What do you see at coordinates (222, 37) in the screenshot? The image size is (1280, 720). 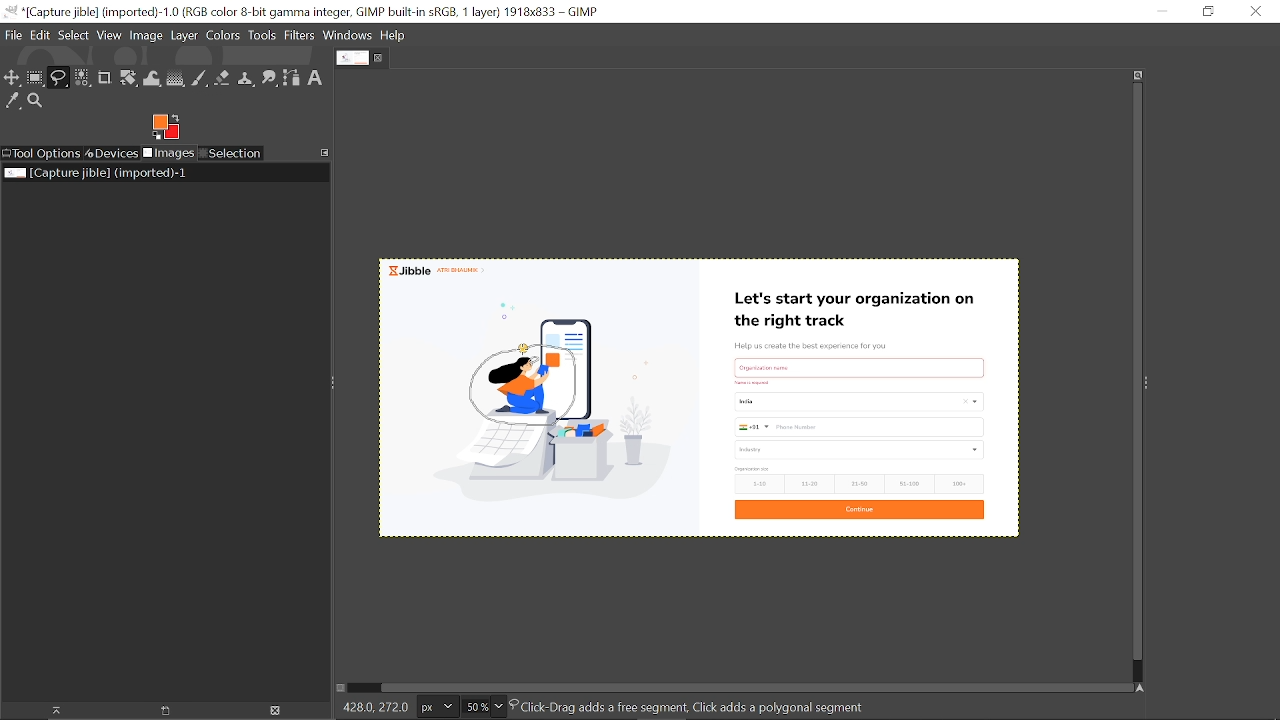 I see `Colors` at bounding box center [222, 37].